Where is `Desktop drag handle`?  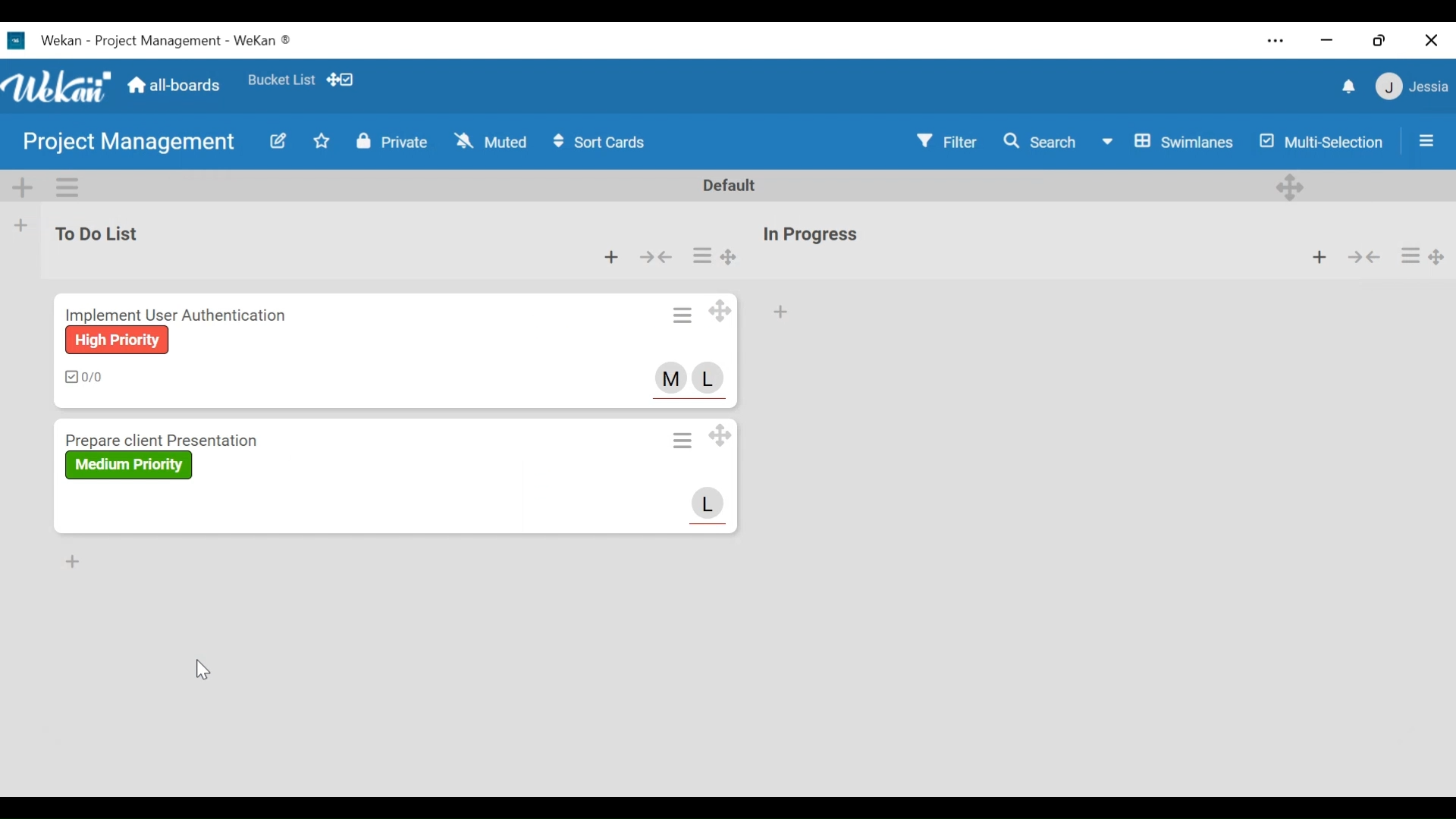
Desktop drag handle is located at coordinates (723, 435).